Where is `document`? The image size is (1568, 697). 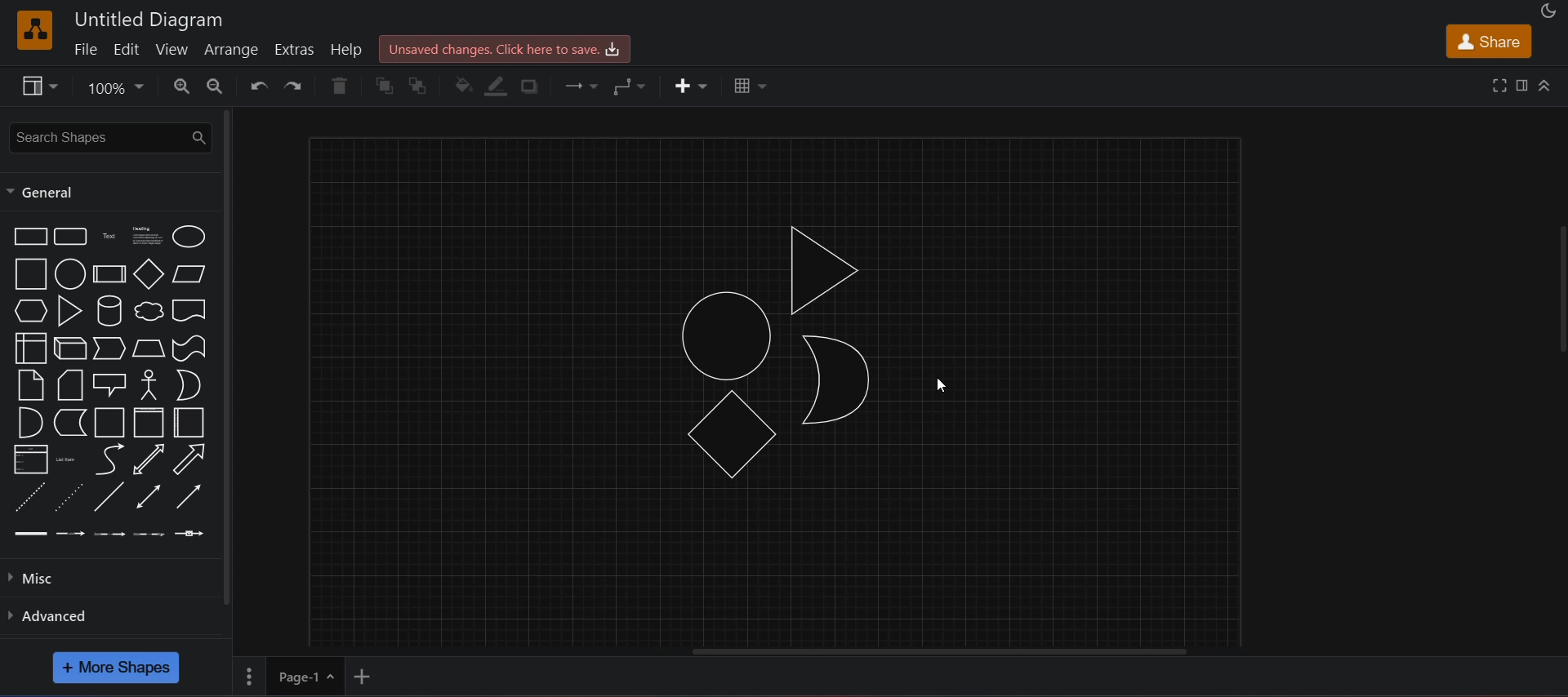 document is located at coordinates (189, 311).